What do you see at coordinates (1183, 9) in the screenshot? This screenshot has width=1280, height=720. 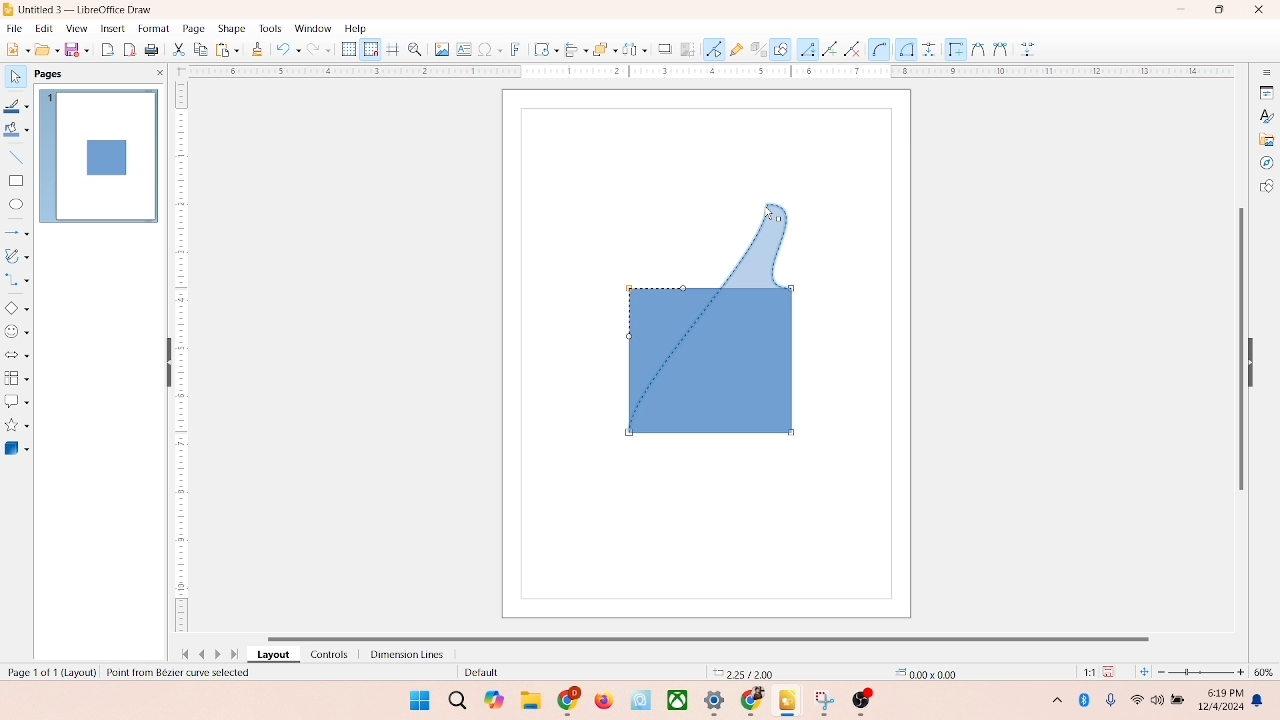 I see `minimize` at bounding box center [1183, 9].